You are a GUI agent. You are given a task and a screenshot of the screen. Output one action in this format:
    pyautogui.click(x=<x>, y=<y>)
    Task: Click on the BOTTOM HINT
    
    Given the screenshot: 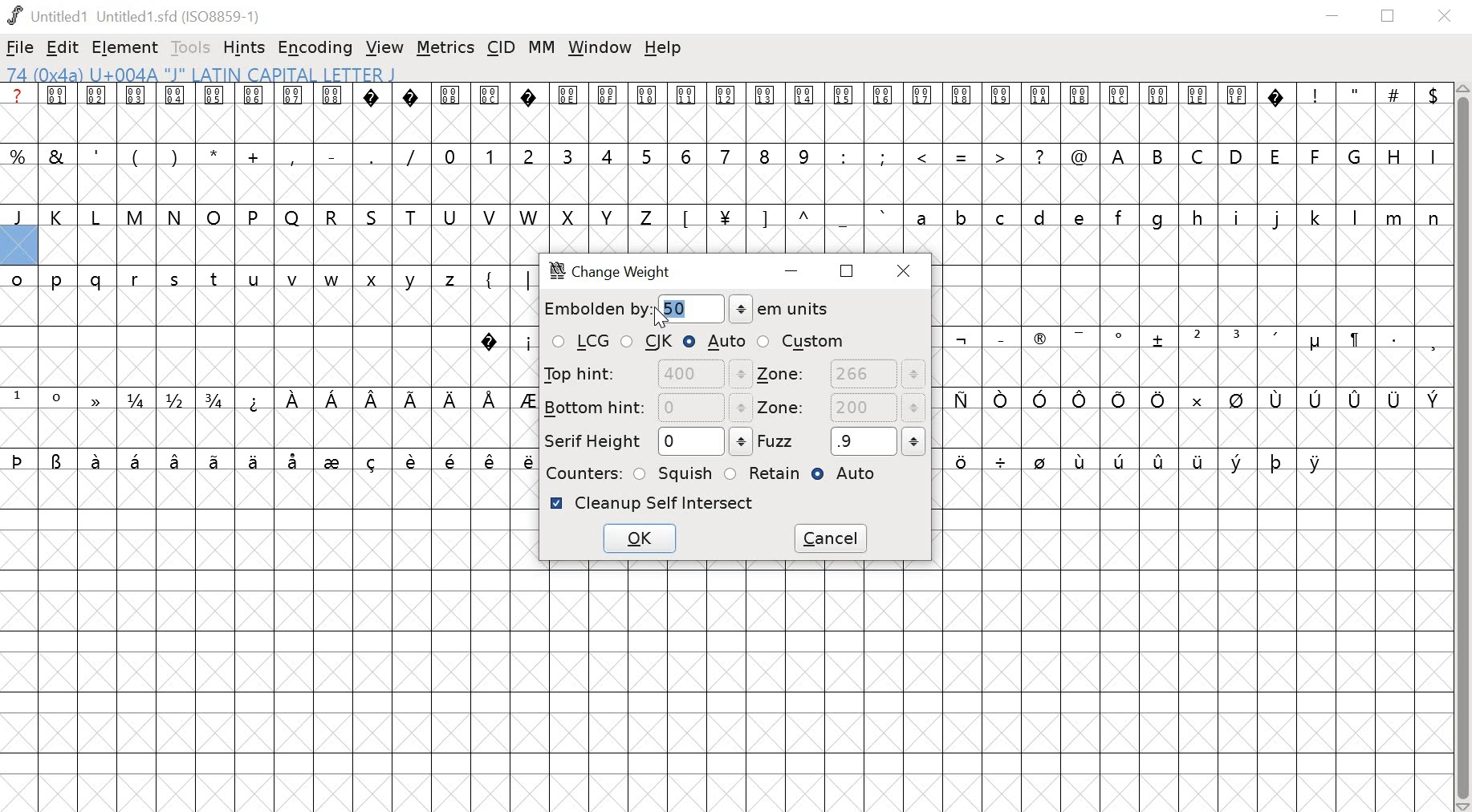 What is the action you would take?
    pyautogui.click(x=647, y=407)
    